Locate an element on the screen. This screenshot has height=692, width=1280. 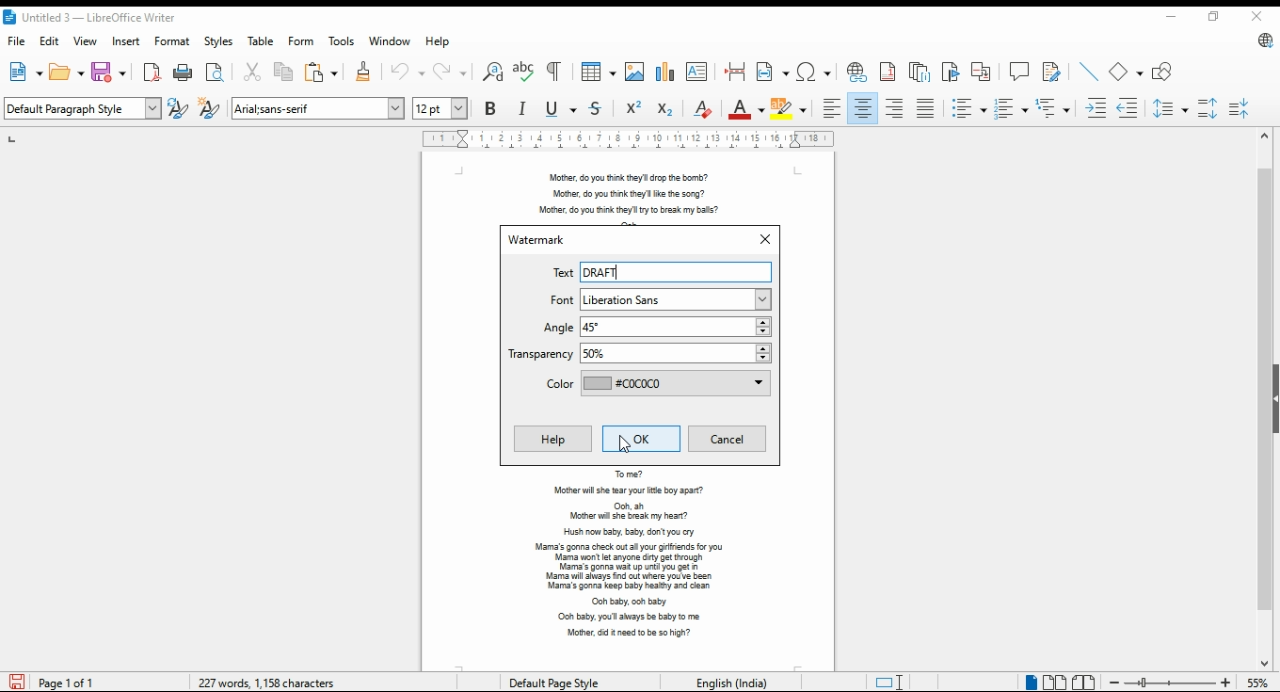
document info is located at coordinates (269, 680).